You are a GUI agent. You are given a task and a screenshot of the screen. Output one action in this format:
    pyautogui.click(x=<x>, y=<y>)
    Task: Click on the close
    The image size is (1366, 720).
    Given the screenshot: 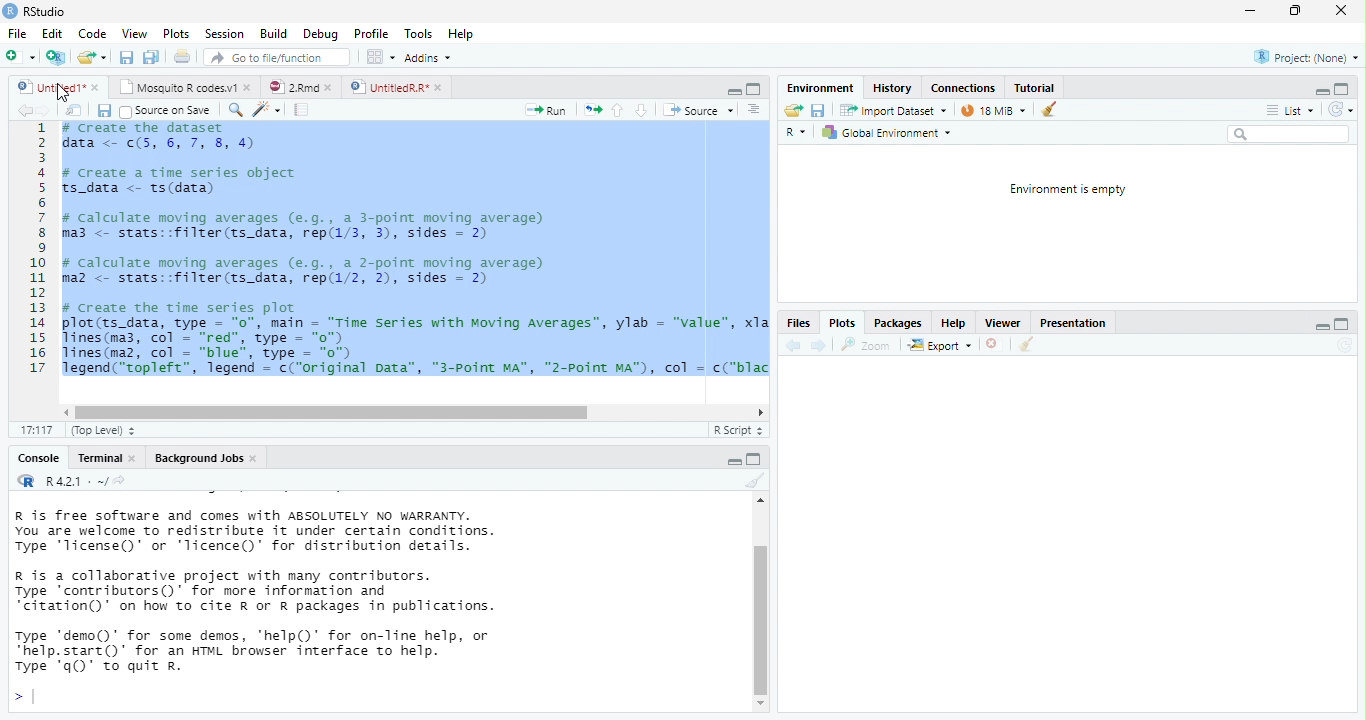 What is the action you would take?
    pyautogui.click(x=97, y=89)
    